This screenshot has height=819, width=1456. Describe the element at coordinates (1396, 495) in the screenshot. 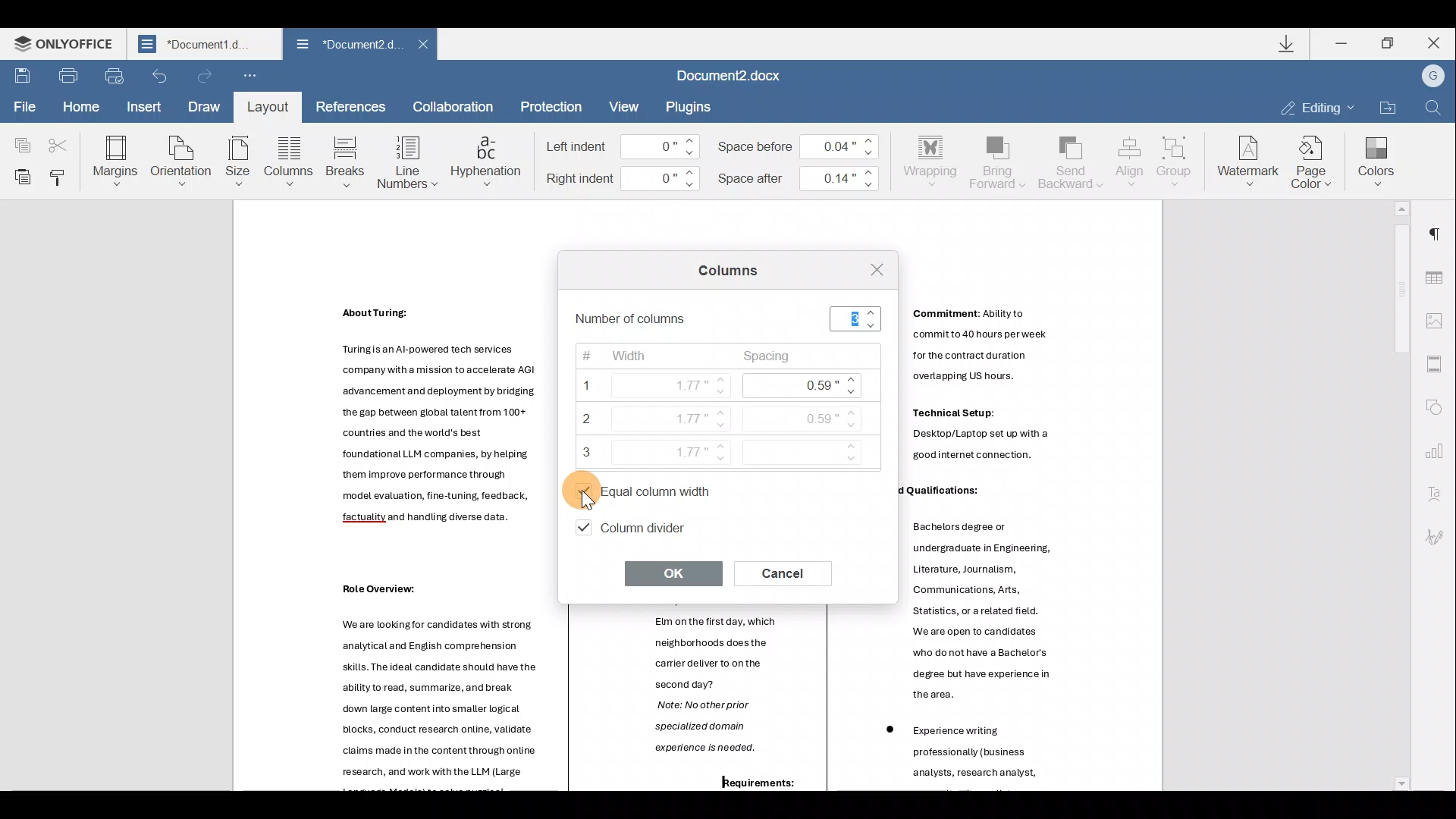

I see `Scroll bar` at that location.